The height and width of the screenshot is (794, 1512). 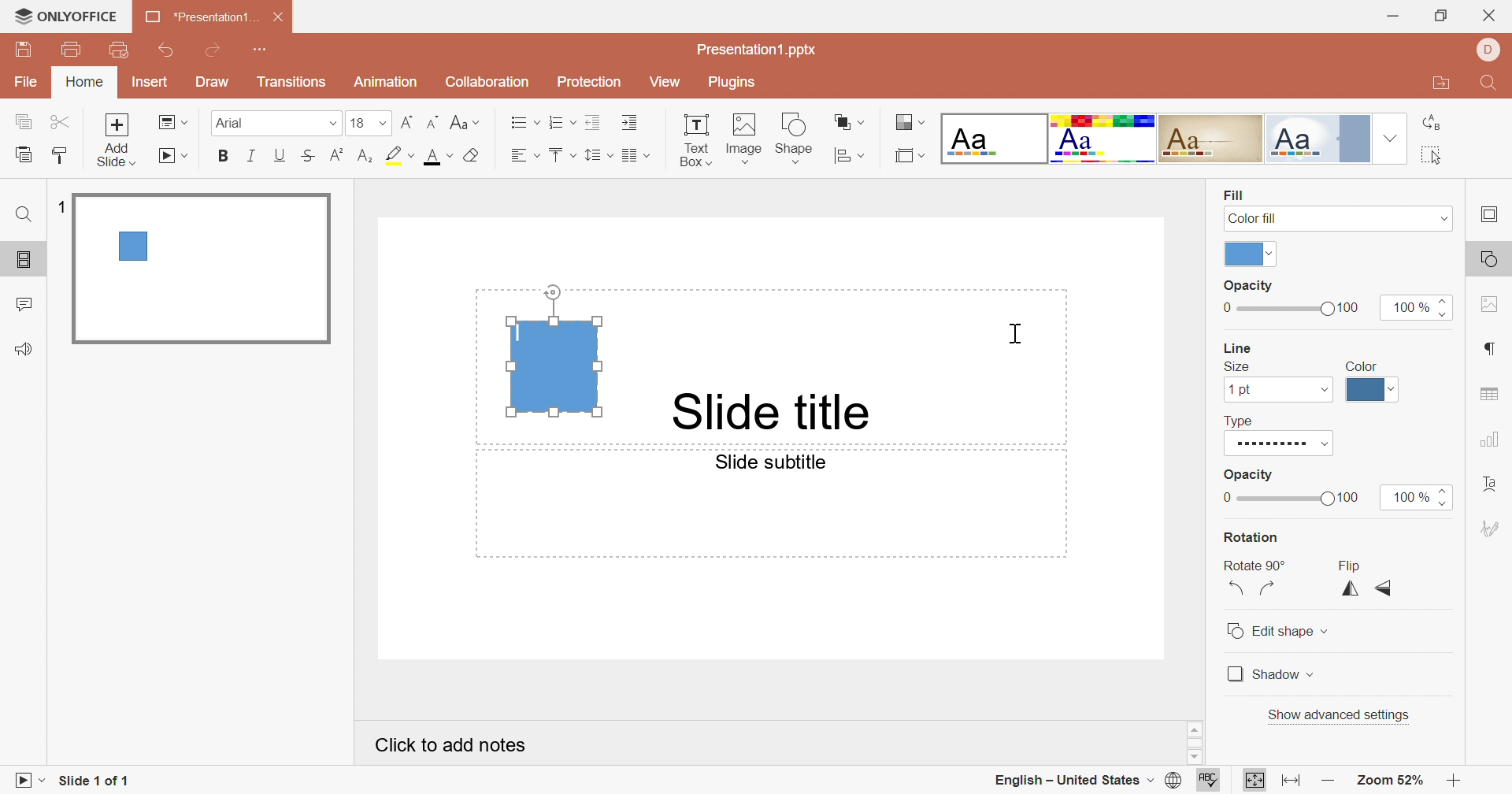 I want to click on Align shape, so click(x=850, y=157).